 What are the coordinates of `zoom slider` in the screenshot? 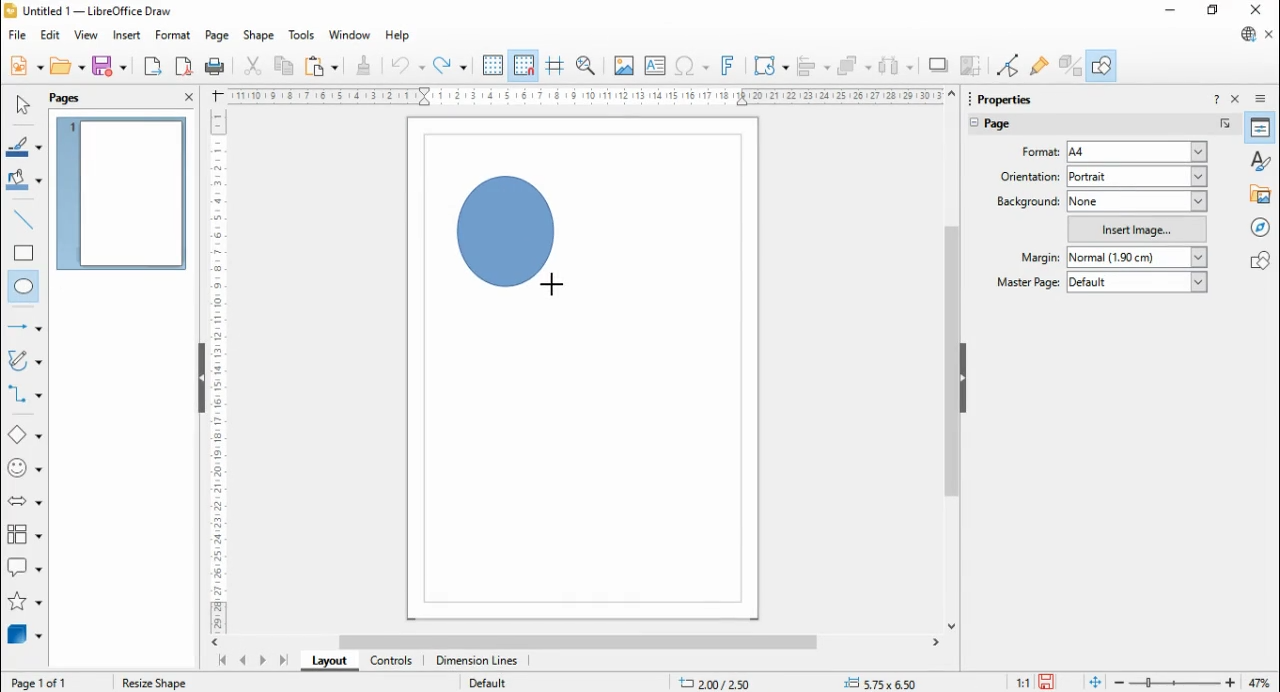 It's located at (1175, 683).